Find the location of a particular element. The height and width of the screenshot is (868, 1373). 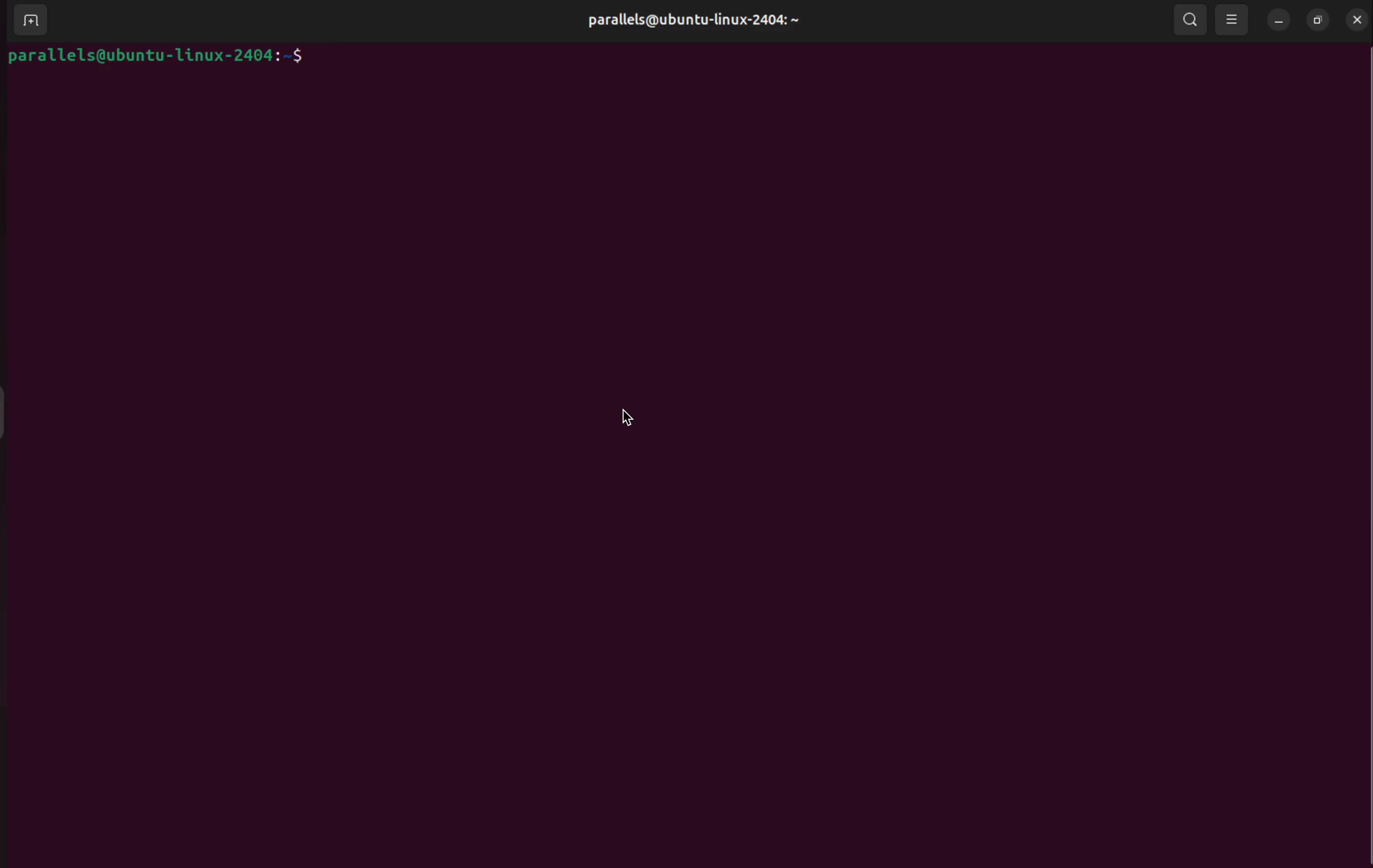

search is located at coordinates (1192, 20).